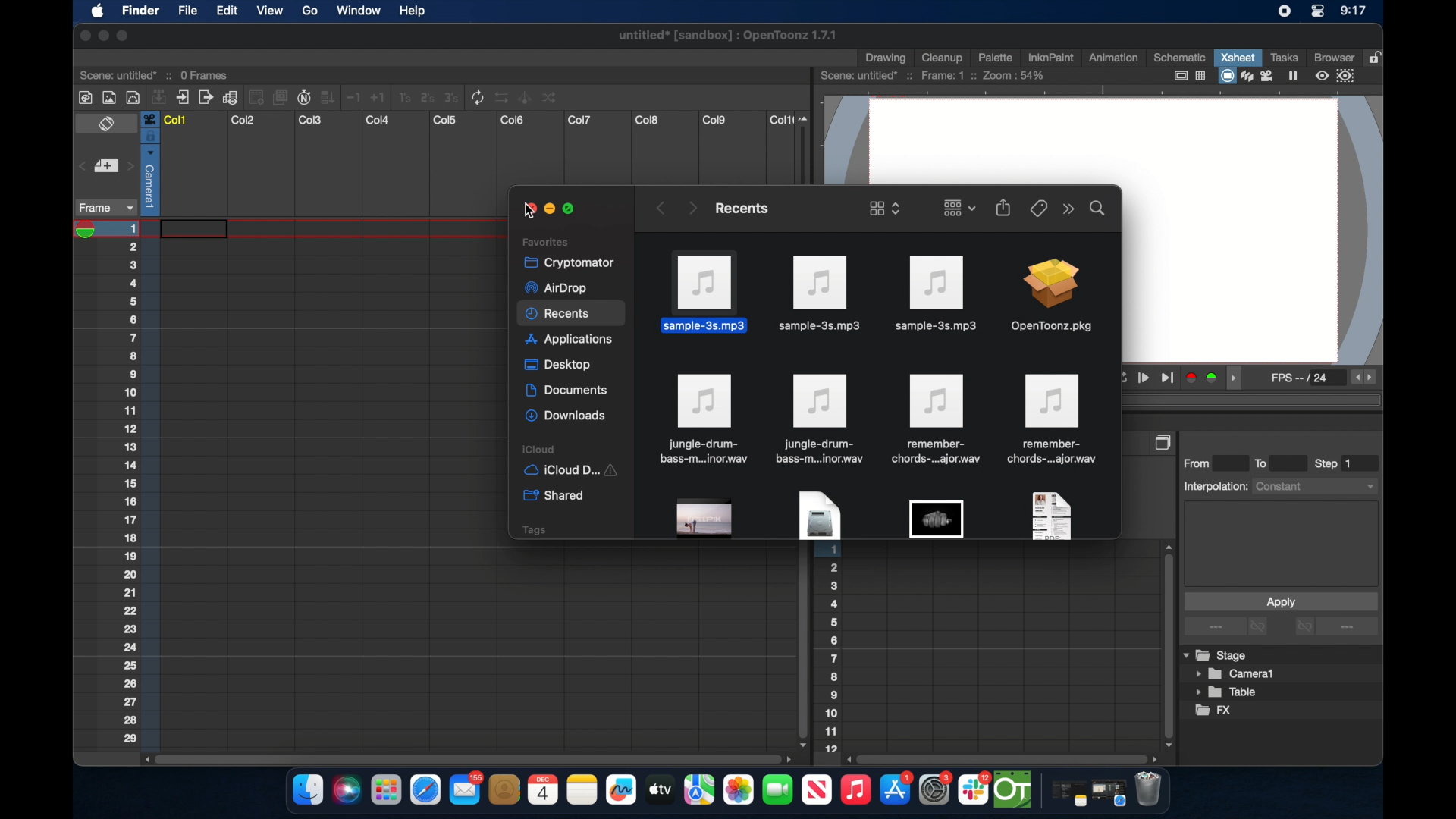 This screenshot has height=819, width=1456. Describe the element at coordinates (934, 293) in the screenshot. I see `mp3 icon` at that location.